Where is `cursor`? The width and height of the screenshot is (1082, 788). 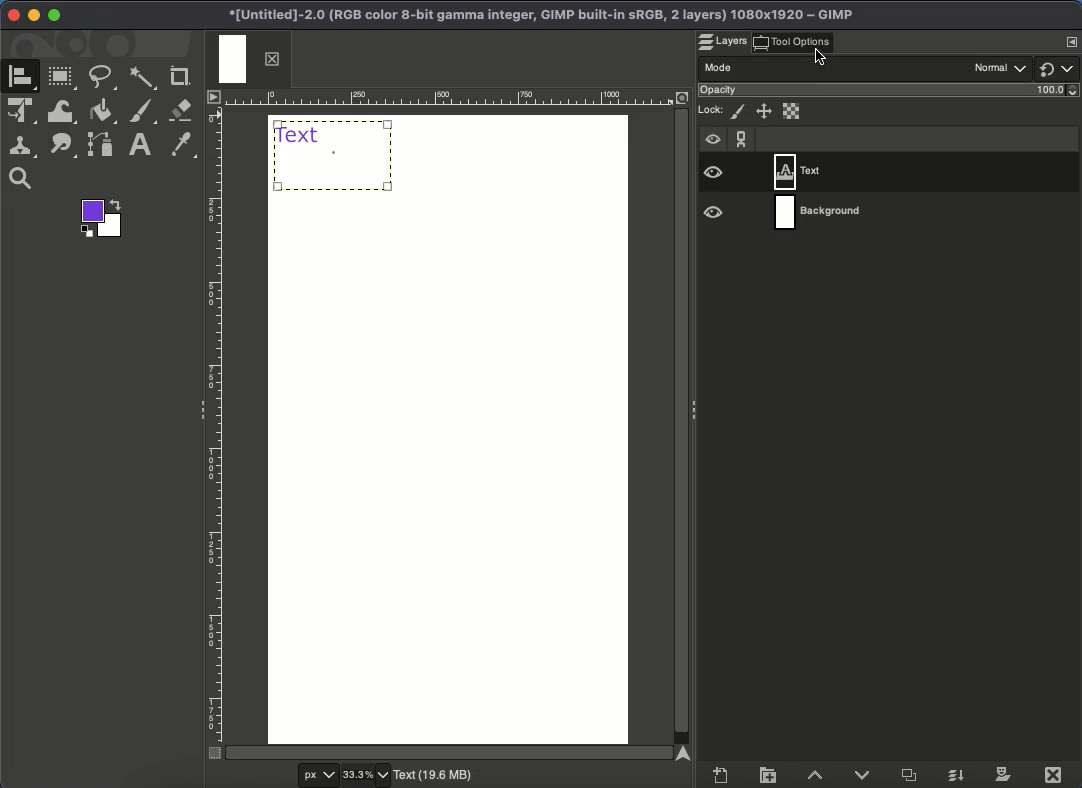
cursor is located at coordinates (820, 59).